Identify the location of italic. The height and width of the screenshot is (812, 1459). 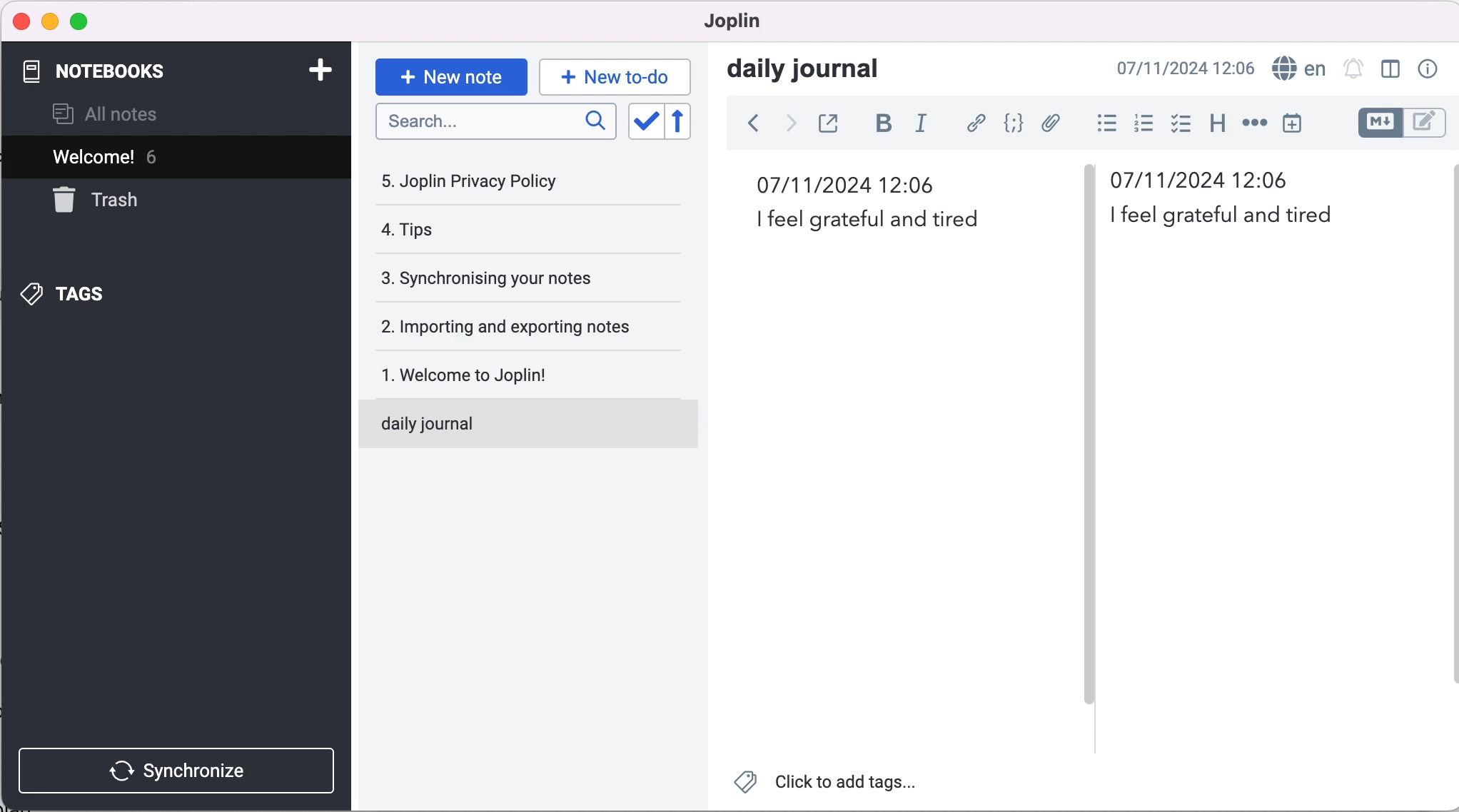
(923, 123).